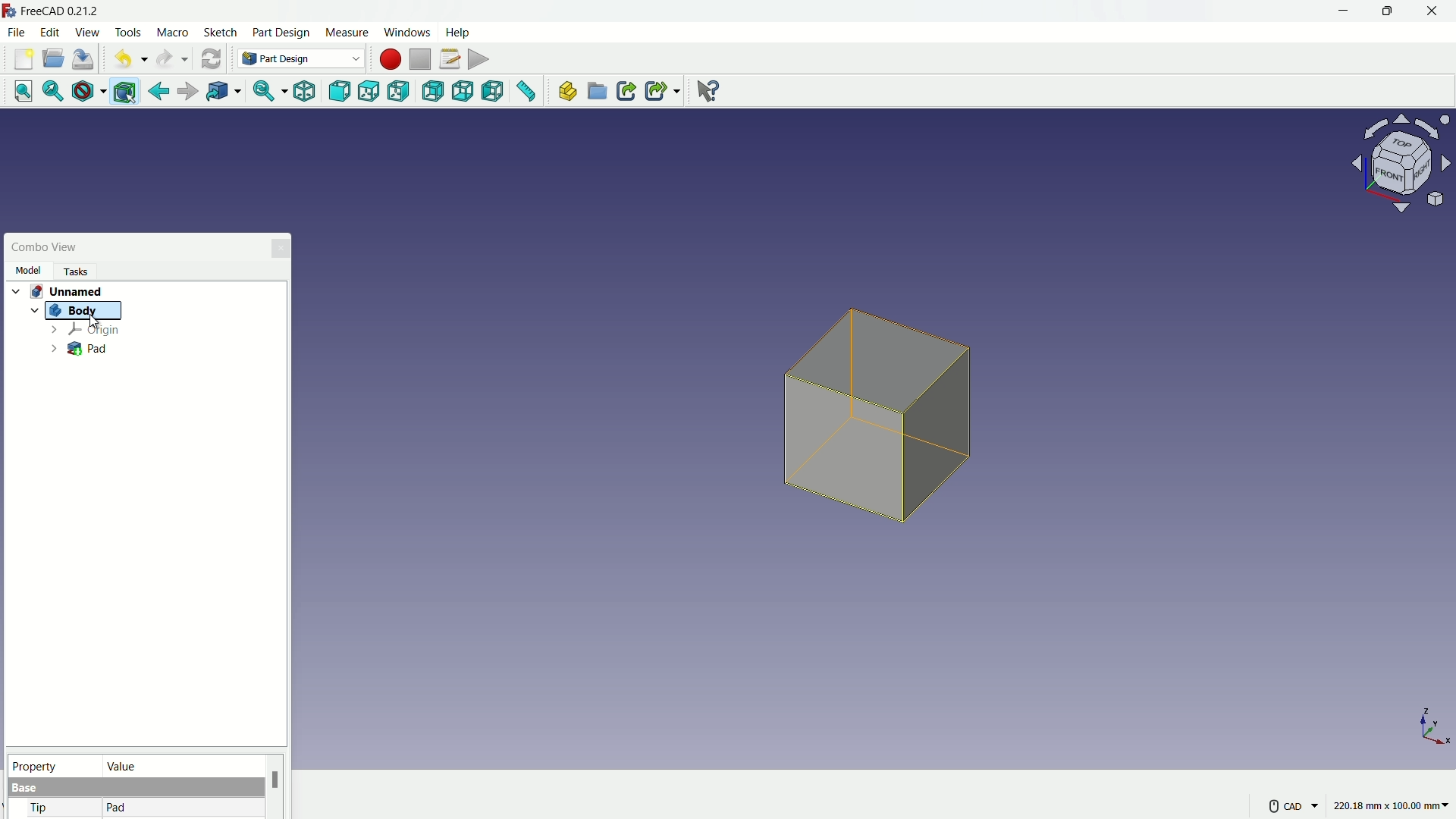 The width and height of the screenshot is (1456, 819). What do you see at coordinates (494, 93) in the screenshot?
I see `left view` at bounding box center [494, 93].